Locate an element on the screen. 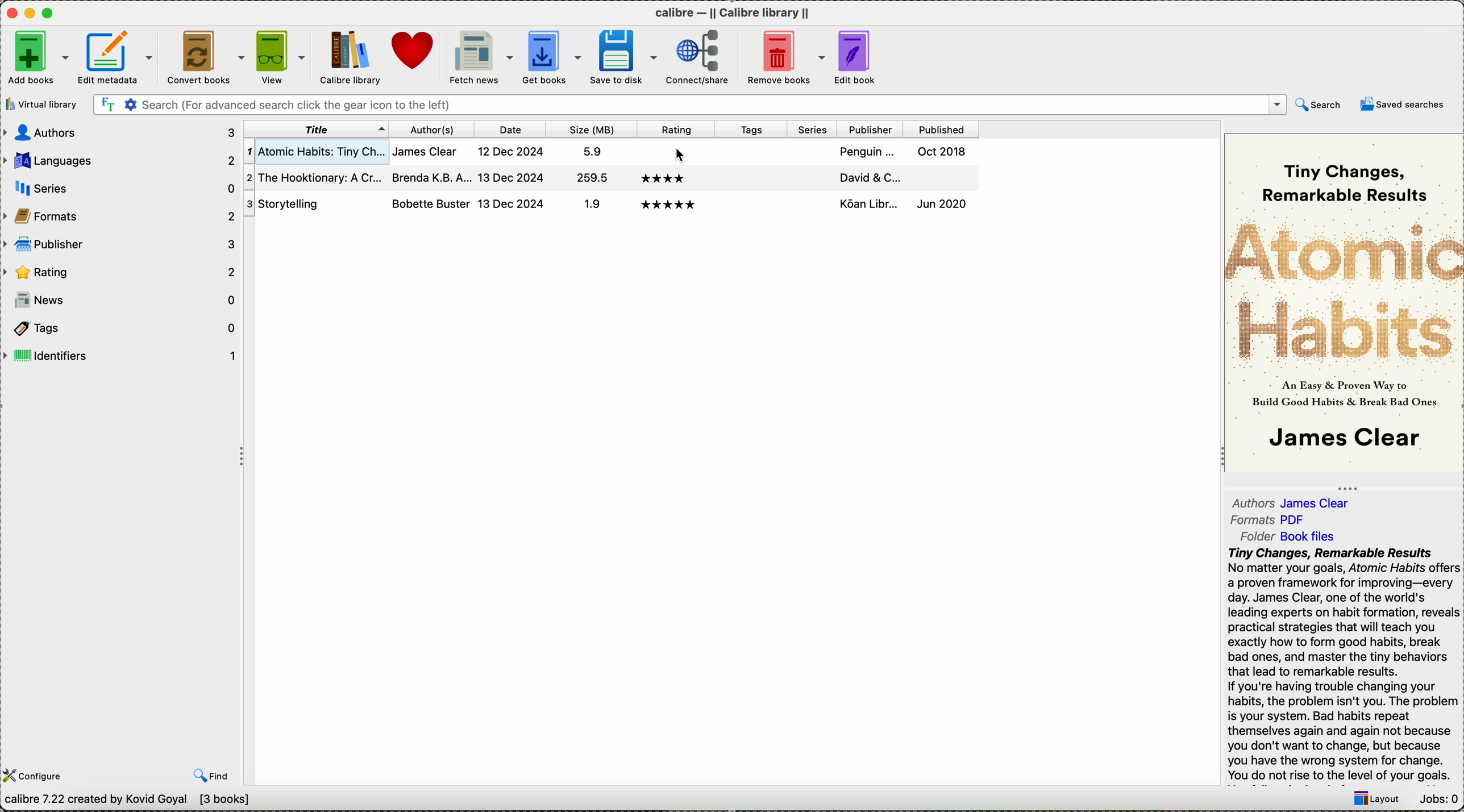 The width and height of the screenshot is (1464, 812). Collapse is located at coordinates (244, 458).